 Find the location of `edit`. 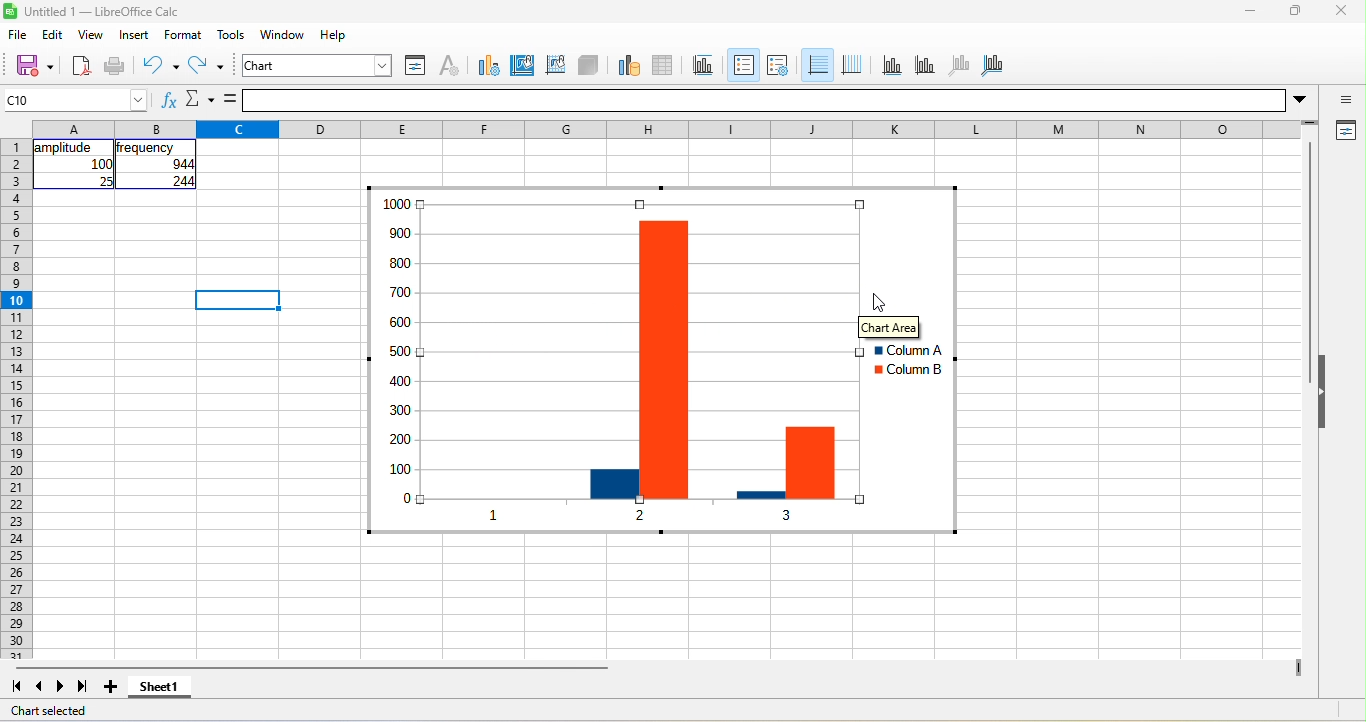

edit is located at coordinates (56, 34).